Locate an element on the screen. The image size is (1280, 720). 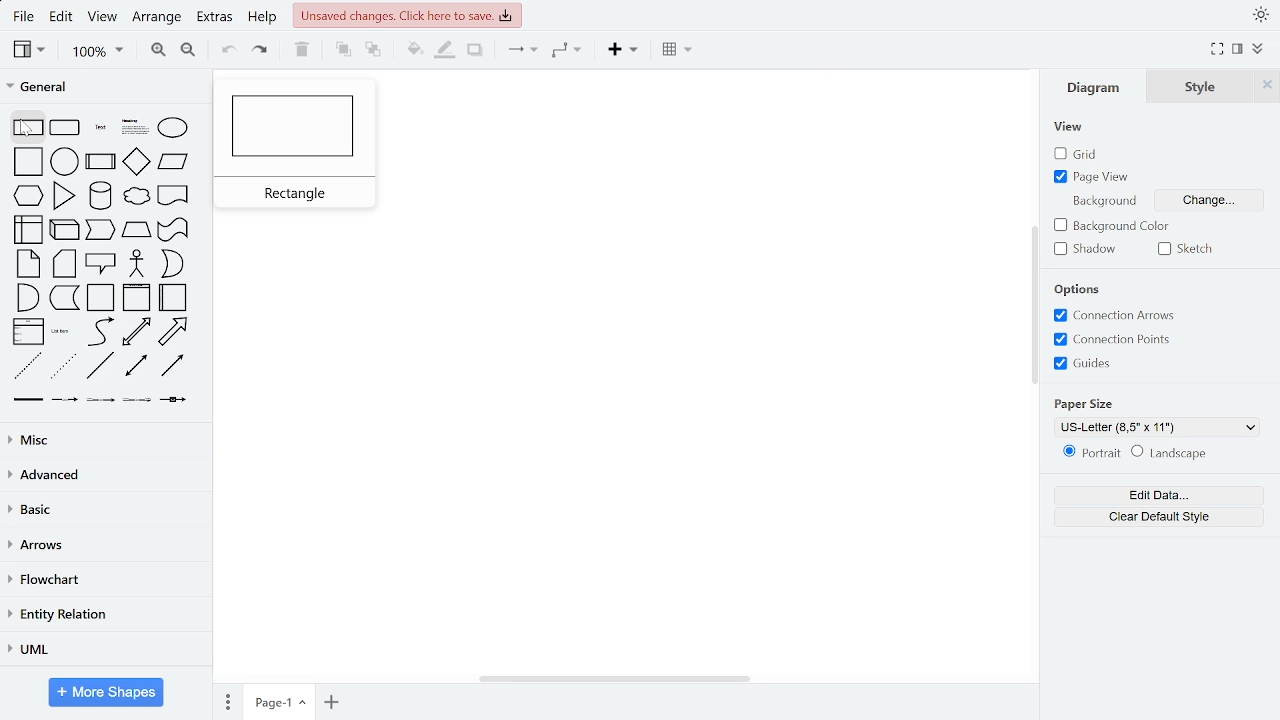
shadow is located at coordinates (1086, 249).